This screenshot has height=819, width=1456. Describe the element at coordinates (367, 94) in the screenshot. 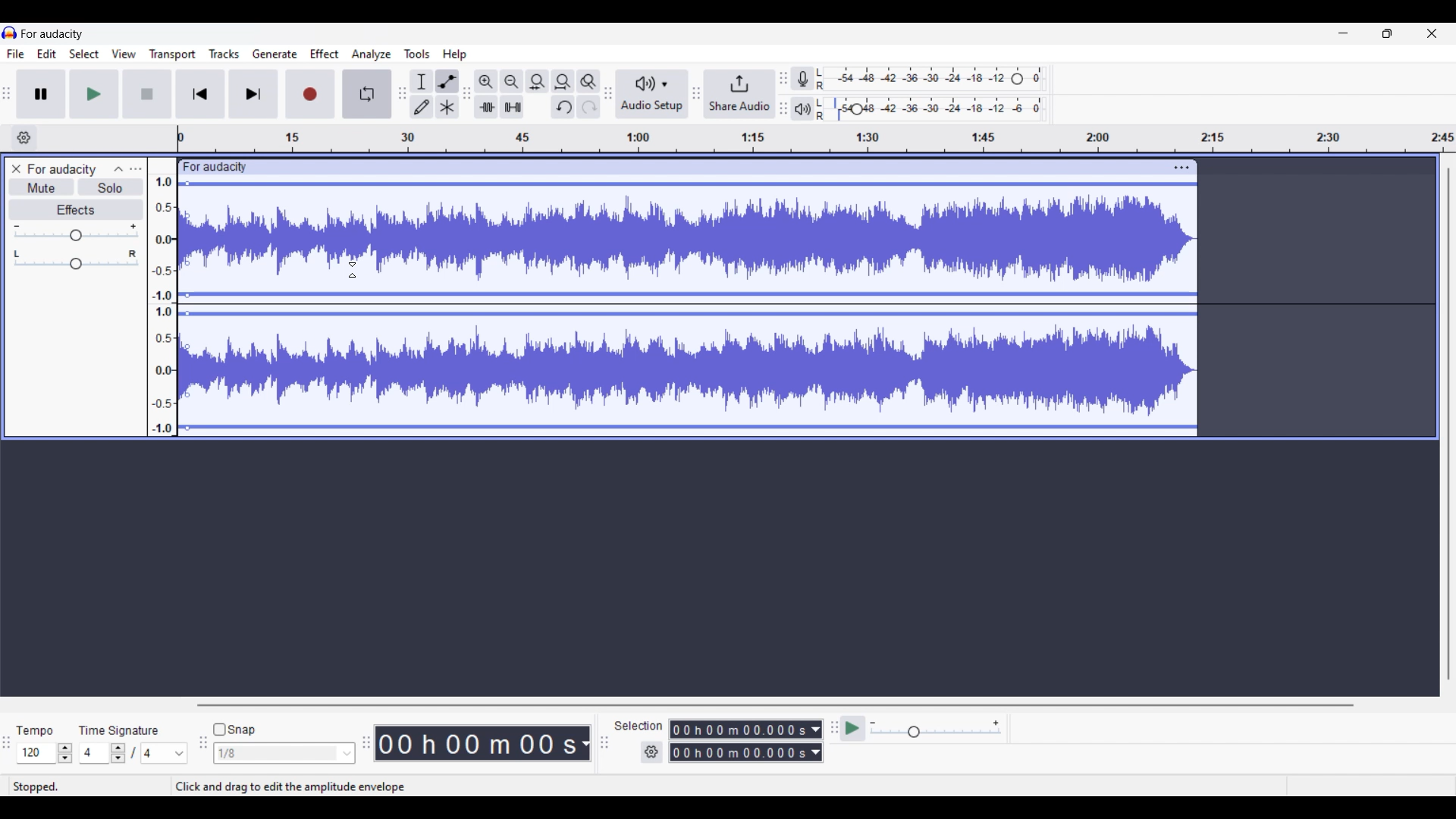

I see `Enable looping` at that location.